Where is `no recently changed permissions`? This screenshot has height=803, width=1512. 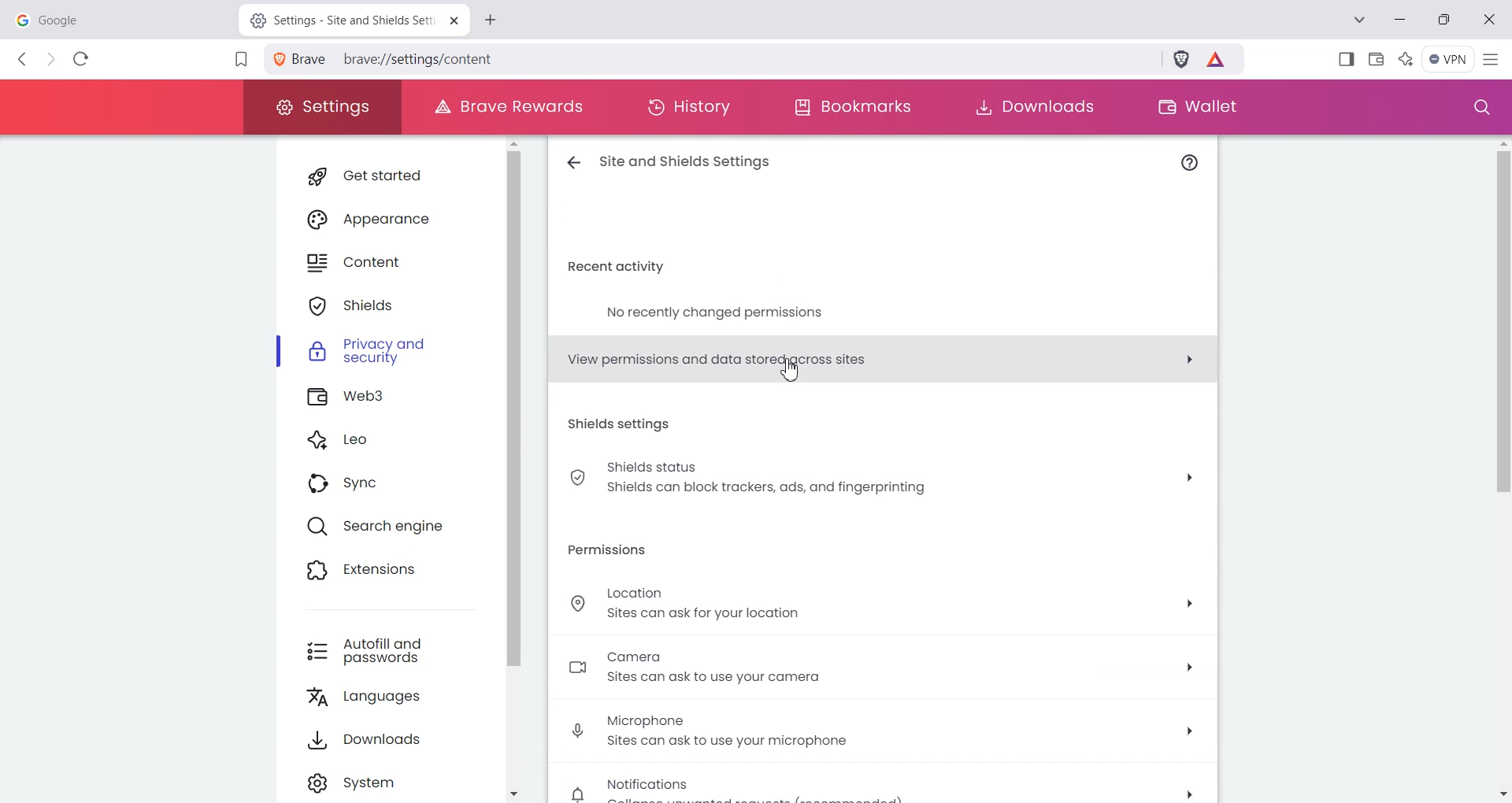 no recently changed permissions is located at coordinates (728, 313).